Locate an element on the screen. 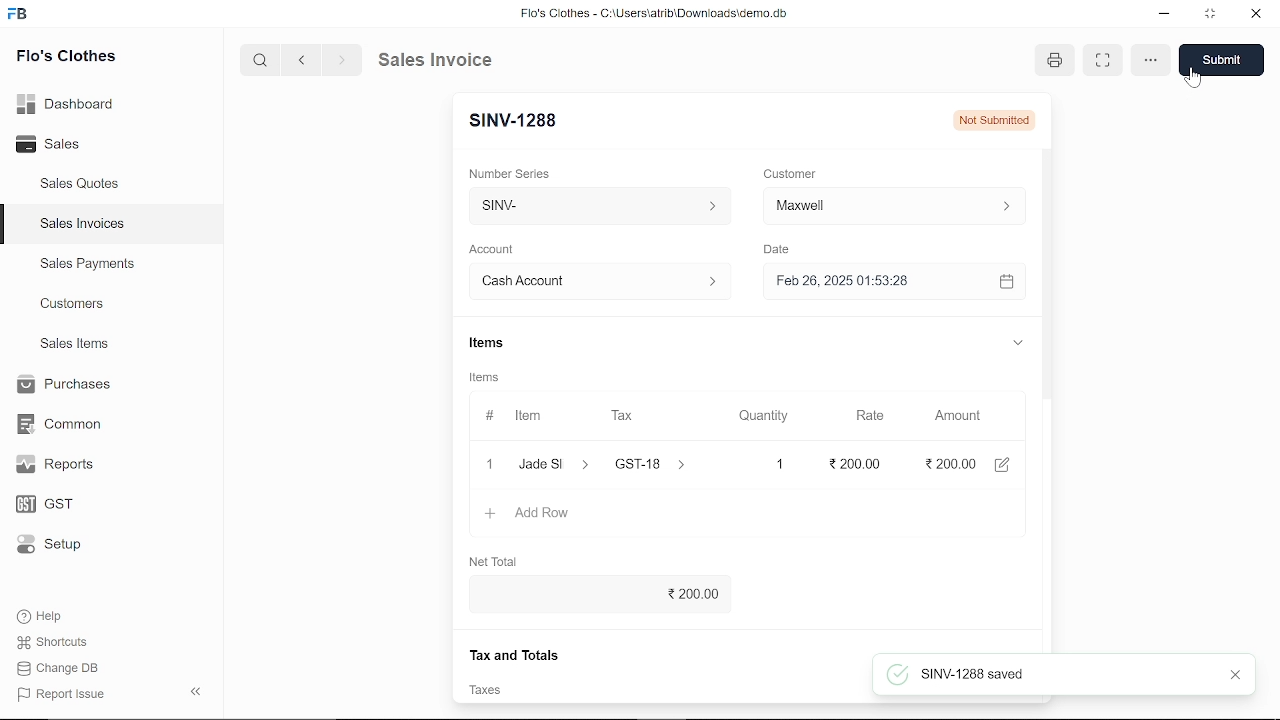  Not Submitted is located at coordinates (996, 119).